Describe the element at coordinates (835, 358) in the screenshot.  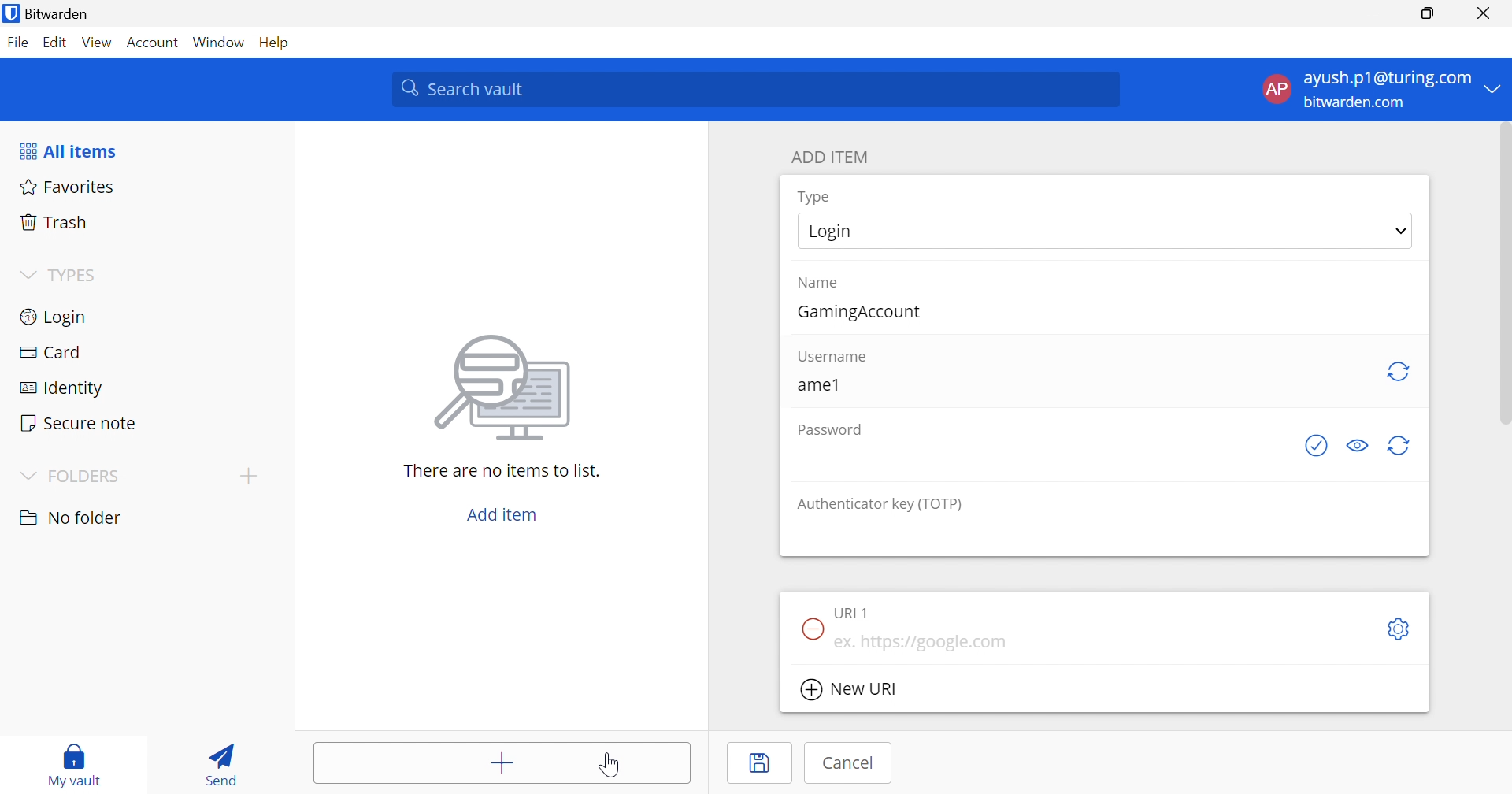
I see `Username` at that location.